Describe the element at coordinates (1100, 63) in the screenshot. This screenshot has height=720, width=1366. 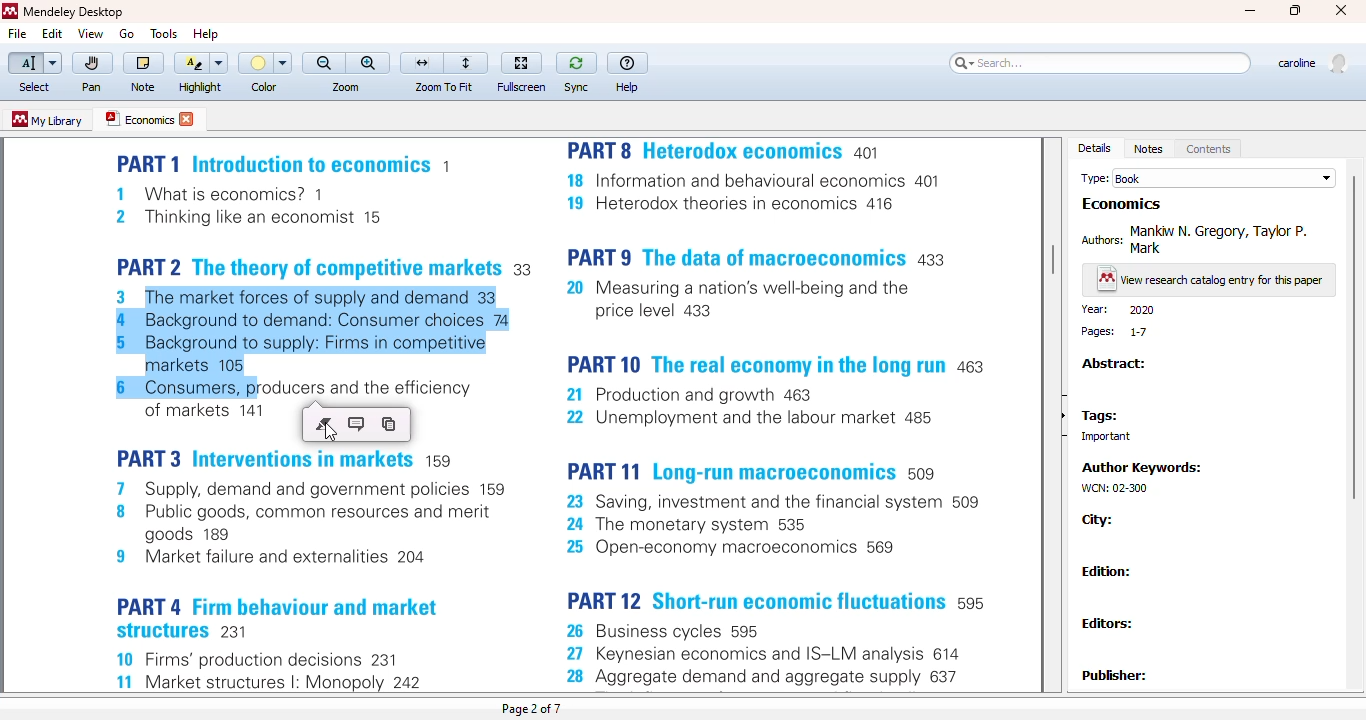
I see `search` at that location.